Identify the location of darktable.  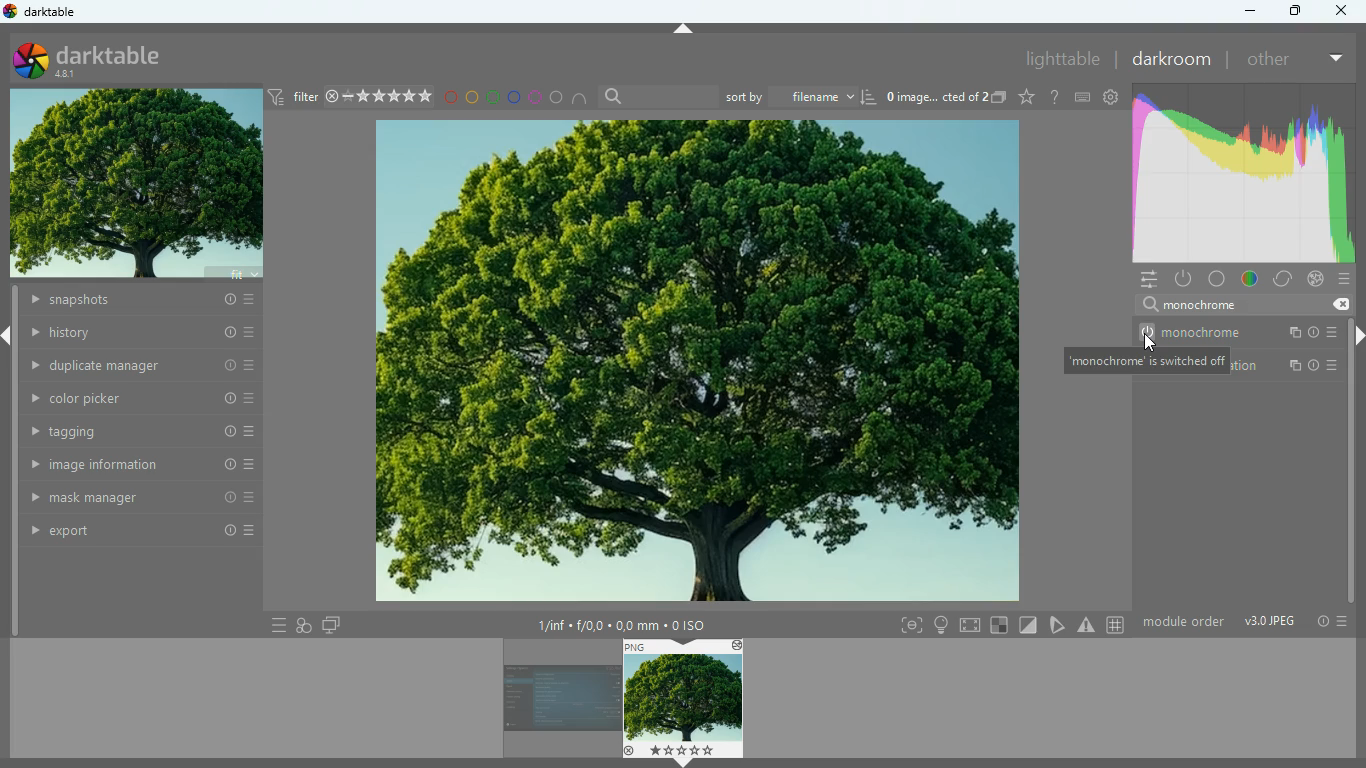
(44, 13).